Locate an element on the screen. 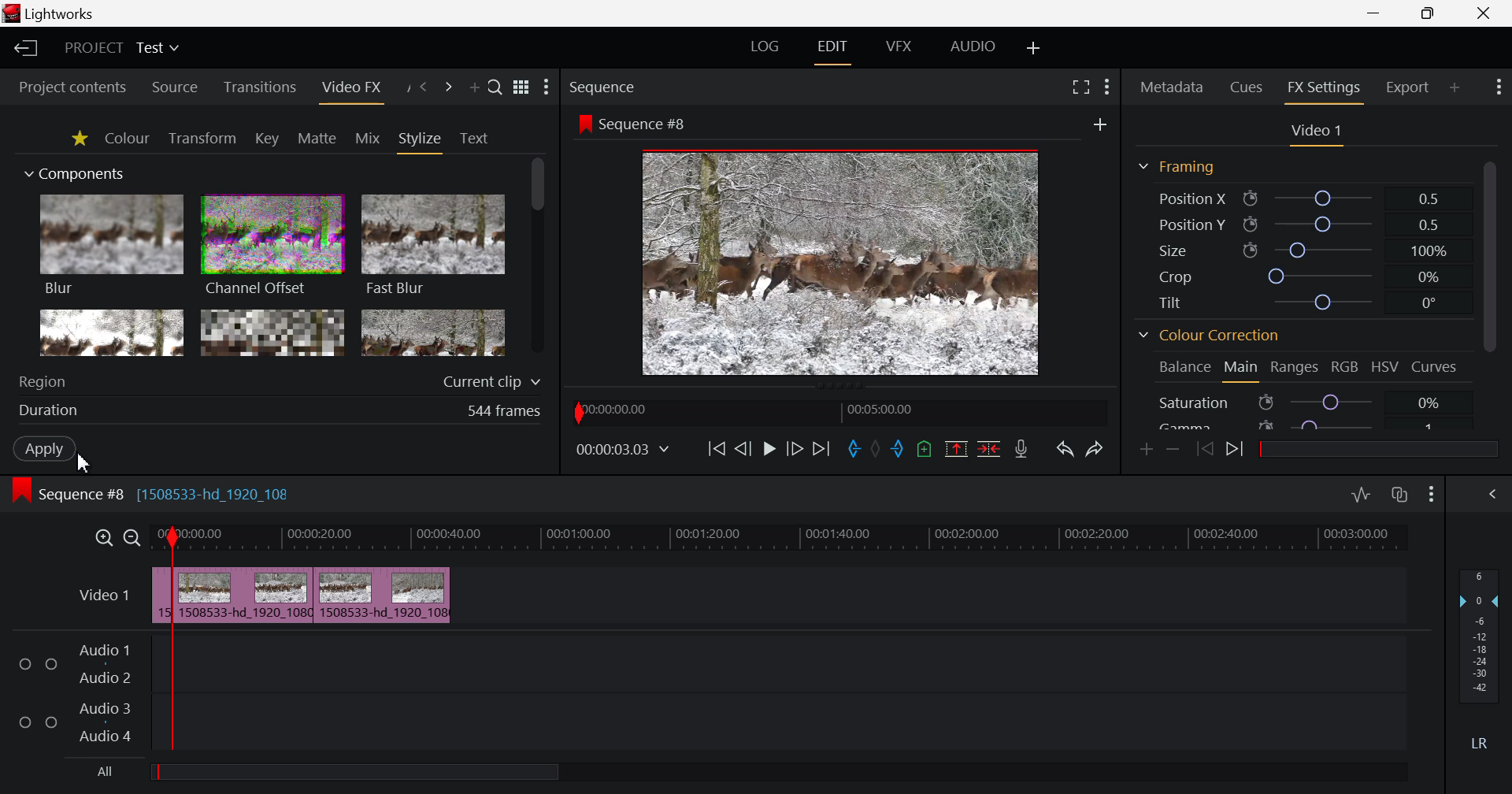 The width and height of the screenshot is (1512, 794). Metadata is located at coordinates (1170, 88).